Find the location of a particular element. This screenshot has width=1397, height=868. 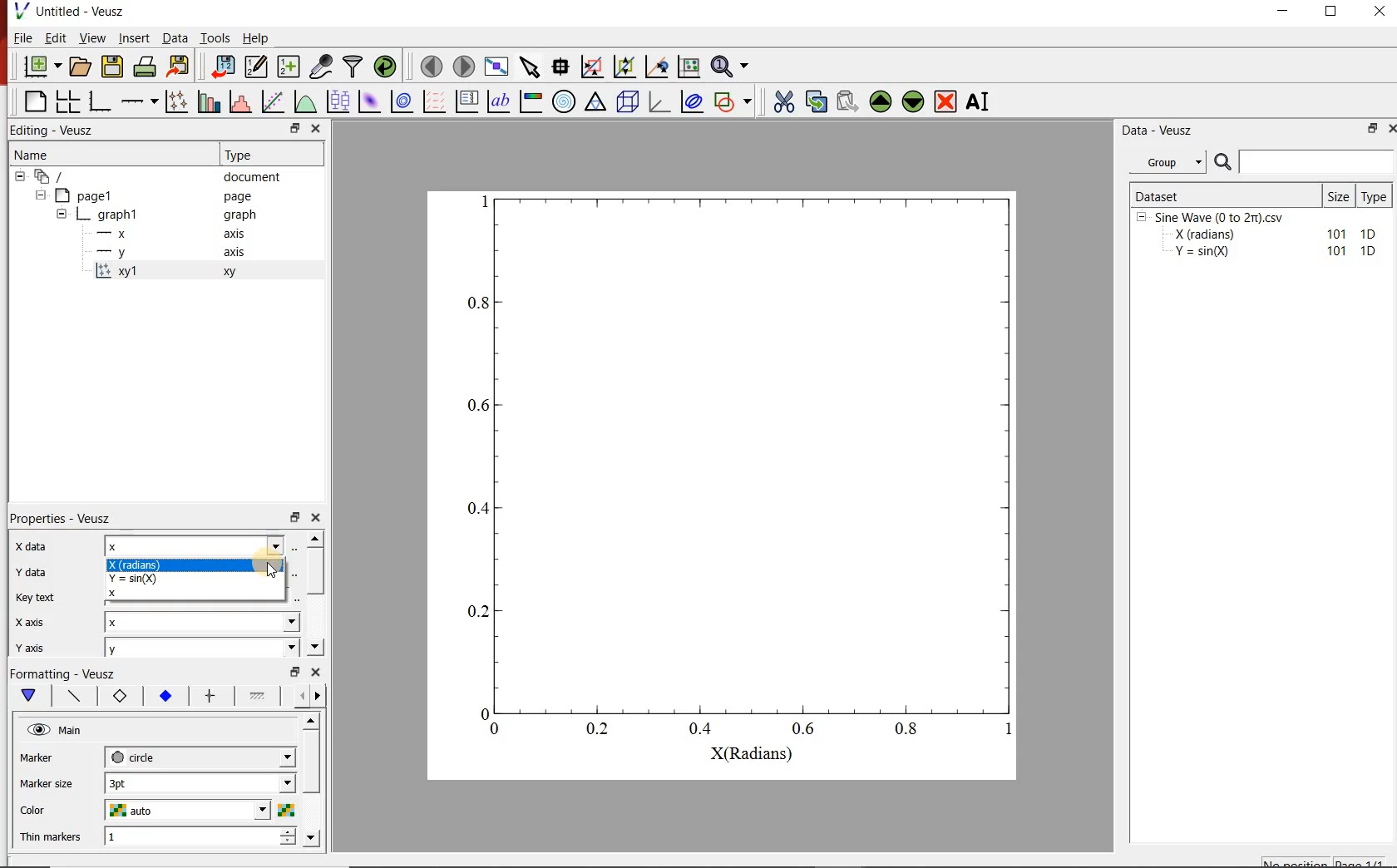

Untitled - Veusz is located at coordinates (81, 11).